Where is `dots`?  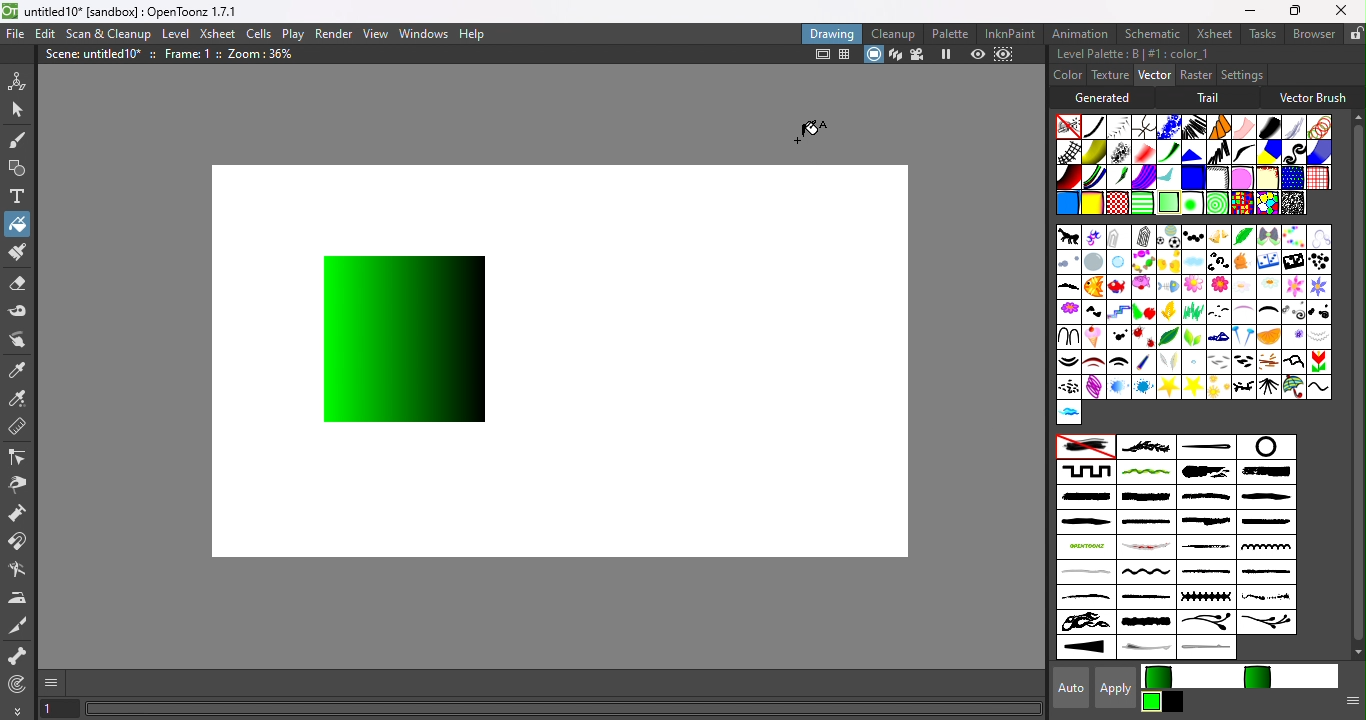 dots is located at coordinates (1119, 337).